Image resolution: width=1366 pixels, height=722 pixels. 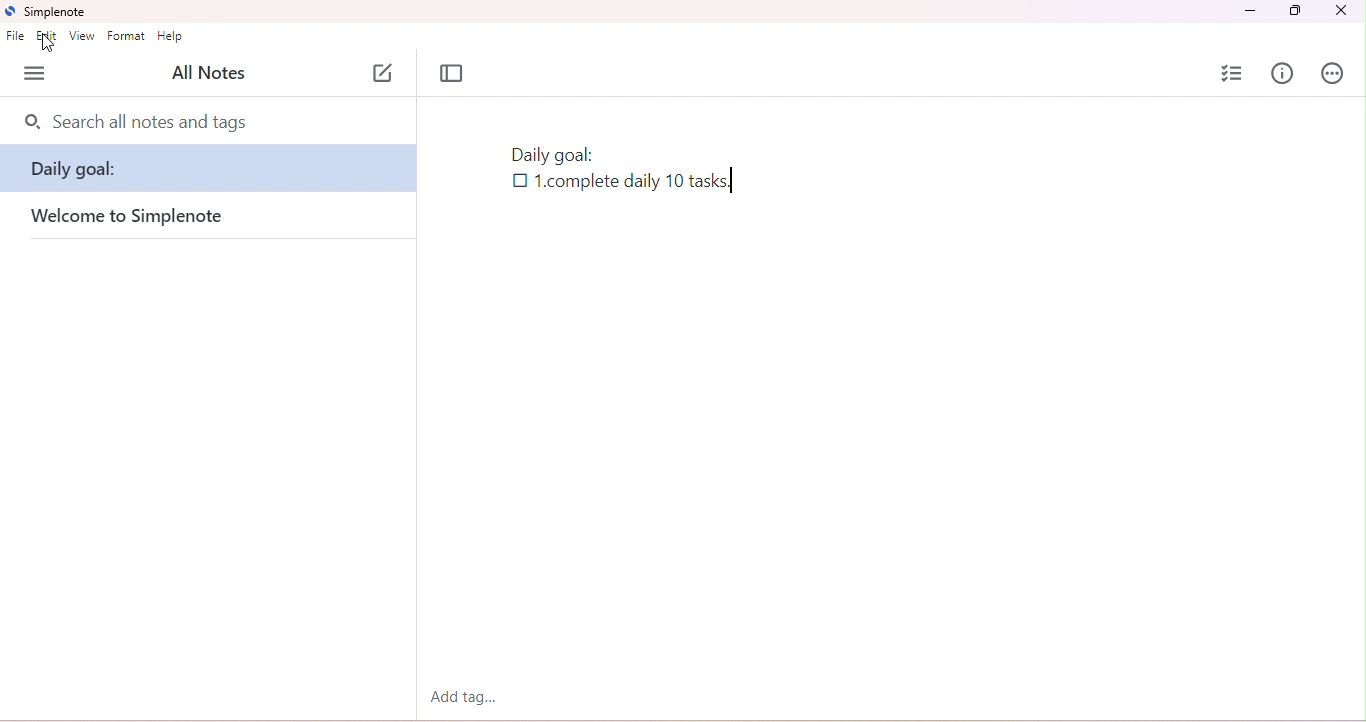 I want to click on new note, so click(x=384, y=72).